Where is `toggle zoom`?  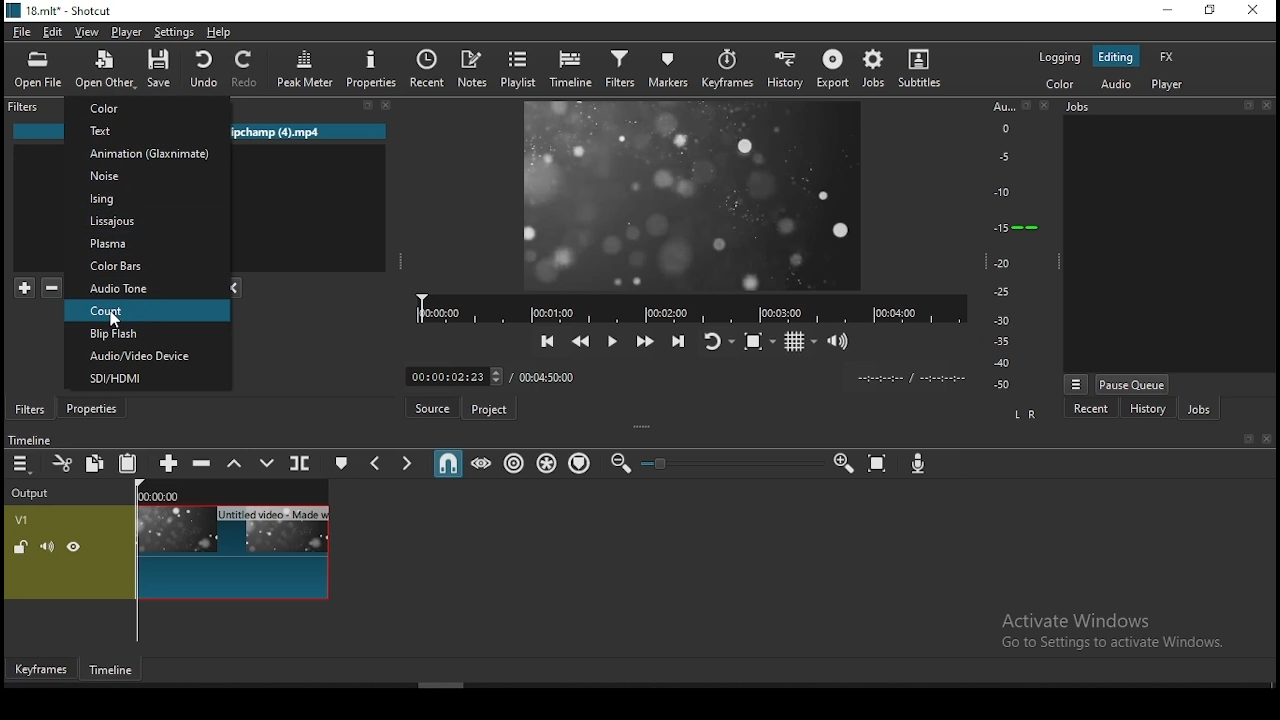 toggle zoom is located at coordinates (755, 342).